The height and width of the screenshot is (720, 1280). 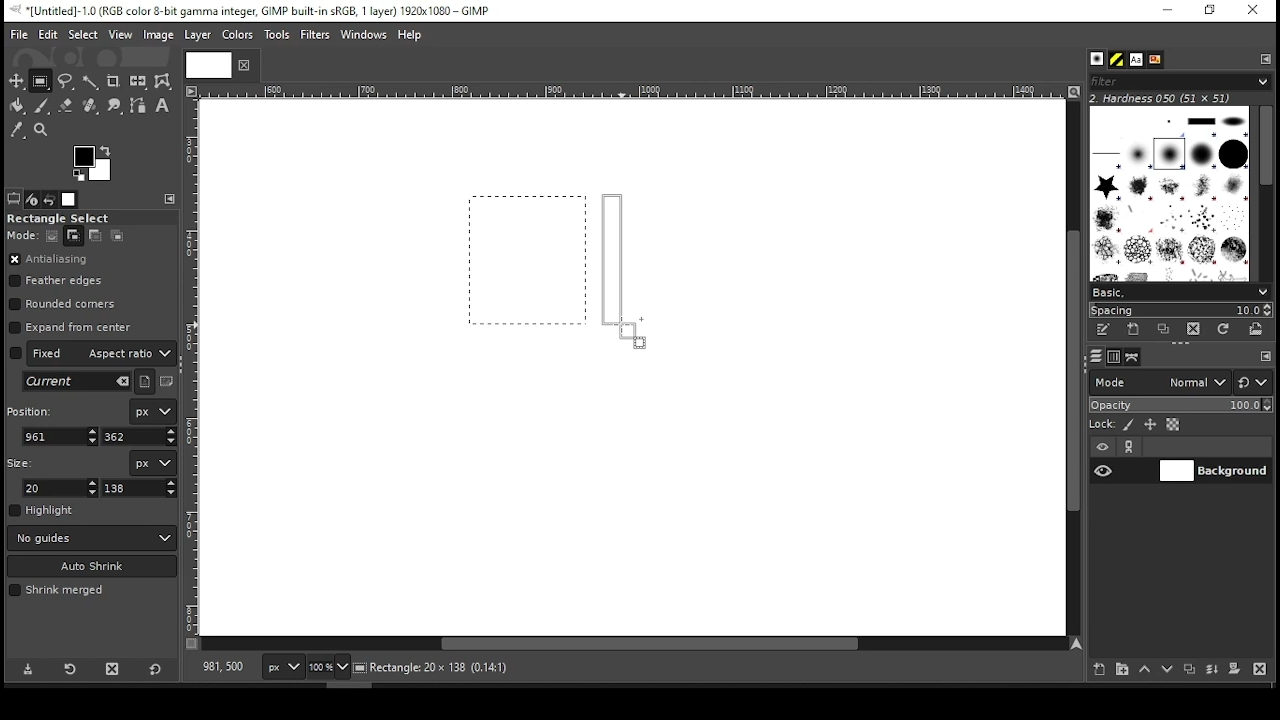 What do you see at coordinates (634, 645) in the screenshot?
I see `scroll bar` at bounding box center [634, 645].